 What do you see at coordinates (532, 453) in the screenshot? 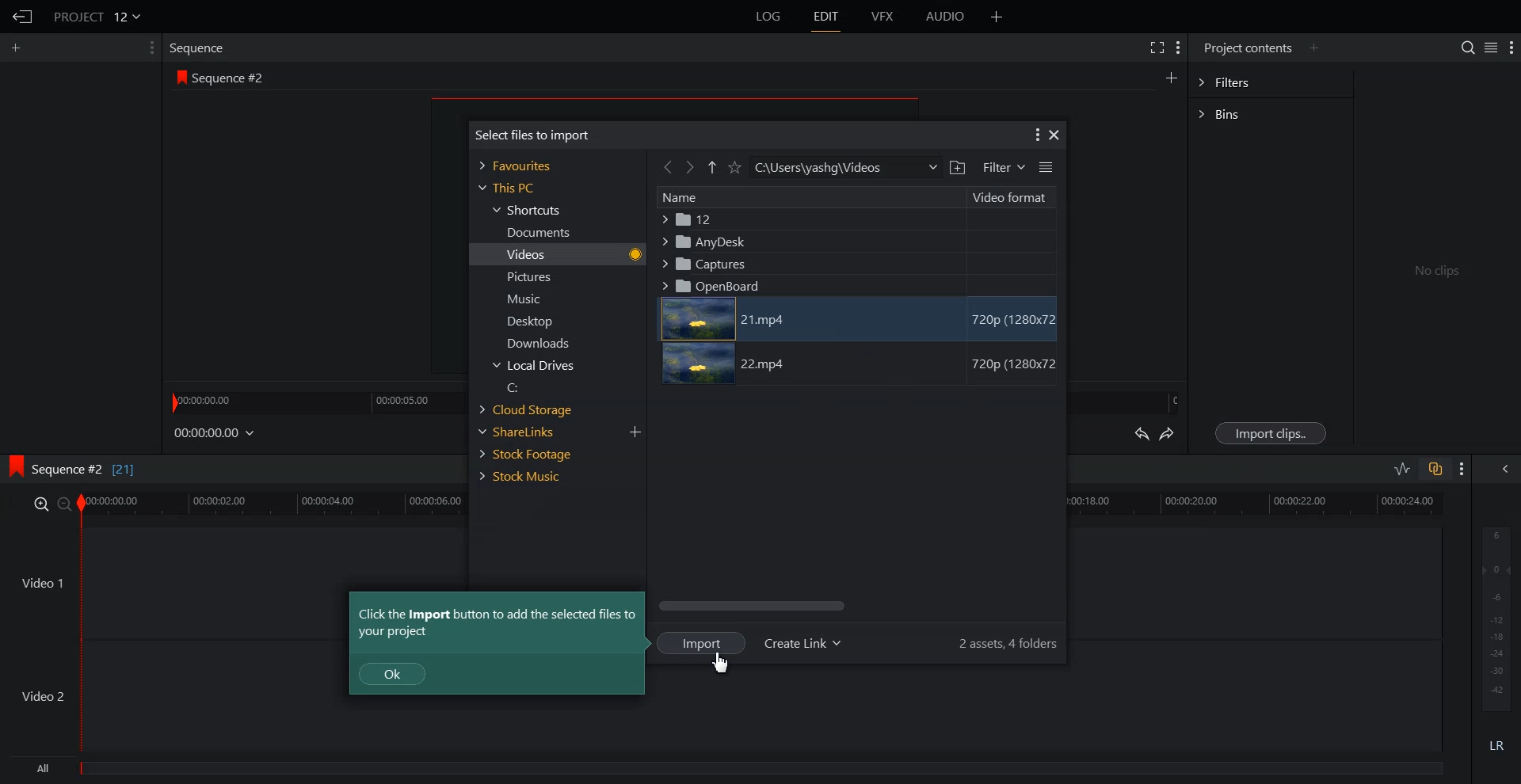
I see `Stock Footage` at bounding box center [532, 453].